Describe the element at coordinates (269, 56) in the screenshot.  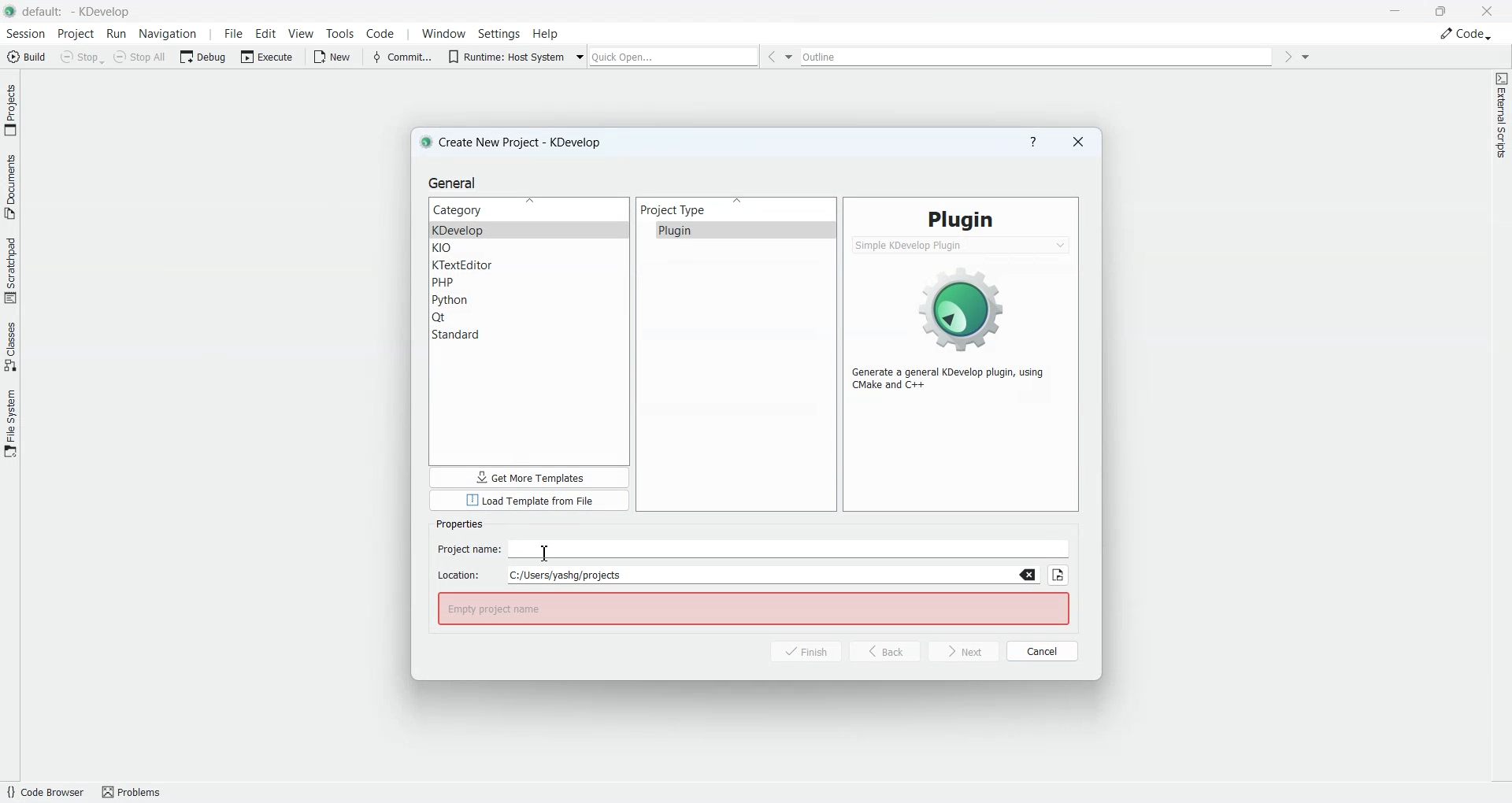
I see `Execute` at that location.